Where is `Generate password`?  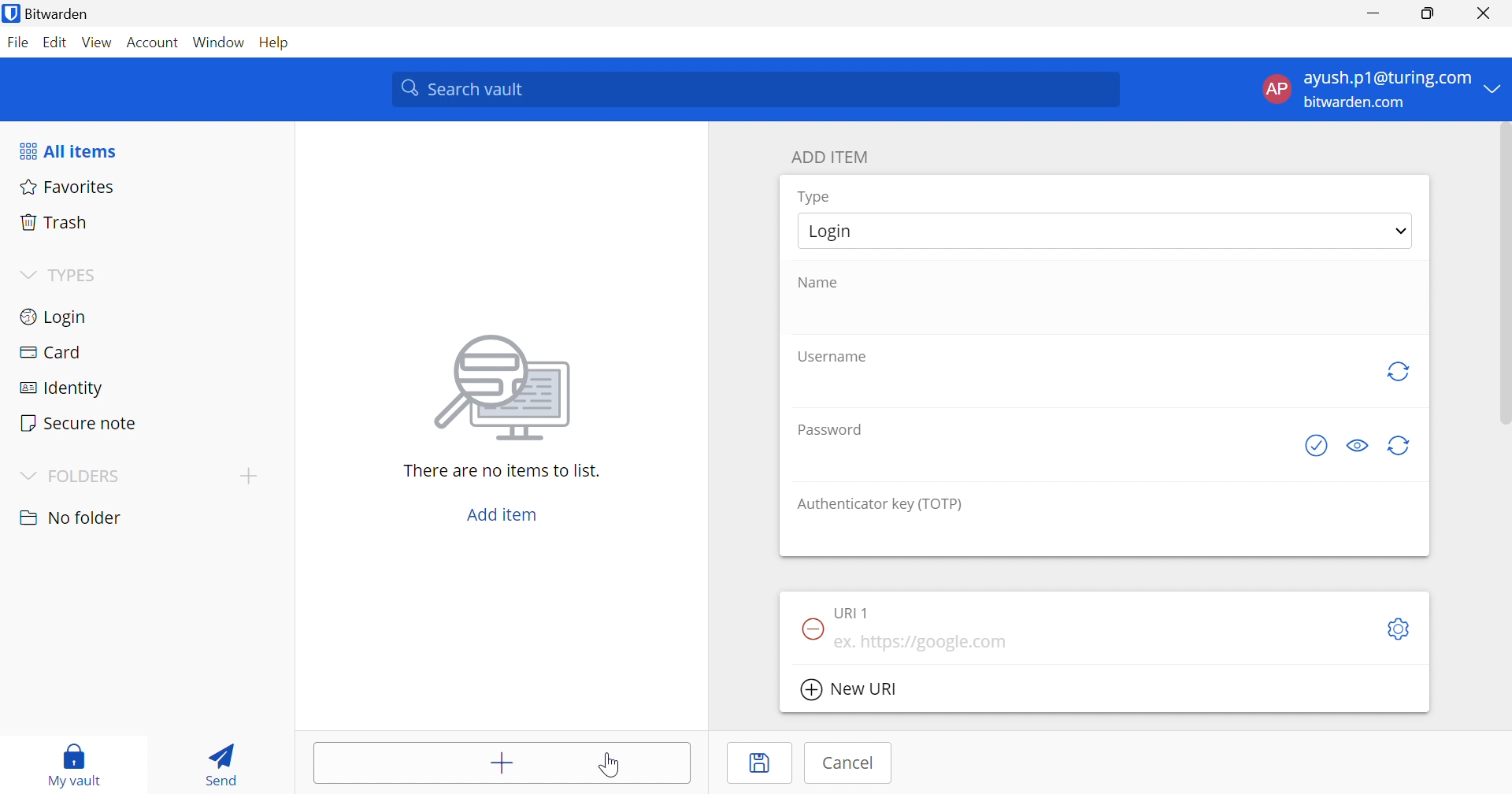
Generate password is located at coordinates (1401, 445).